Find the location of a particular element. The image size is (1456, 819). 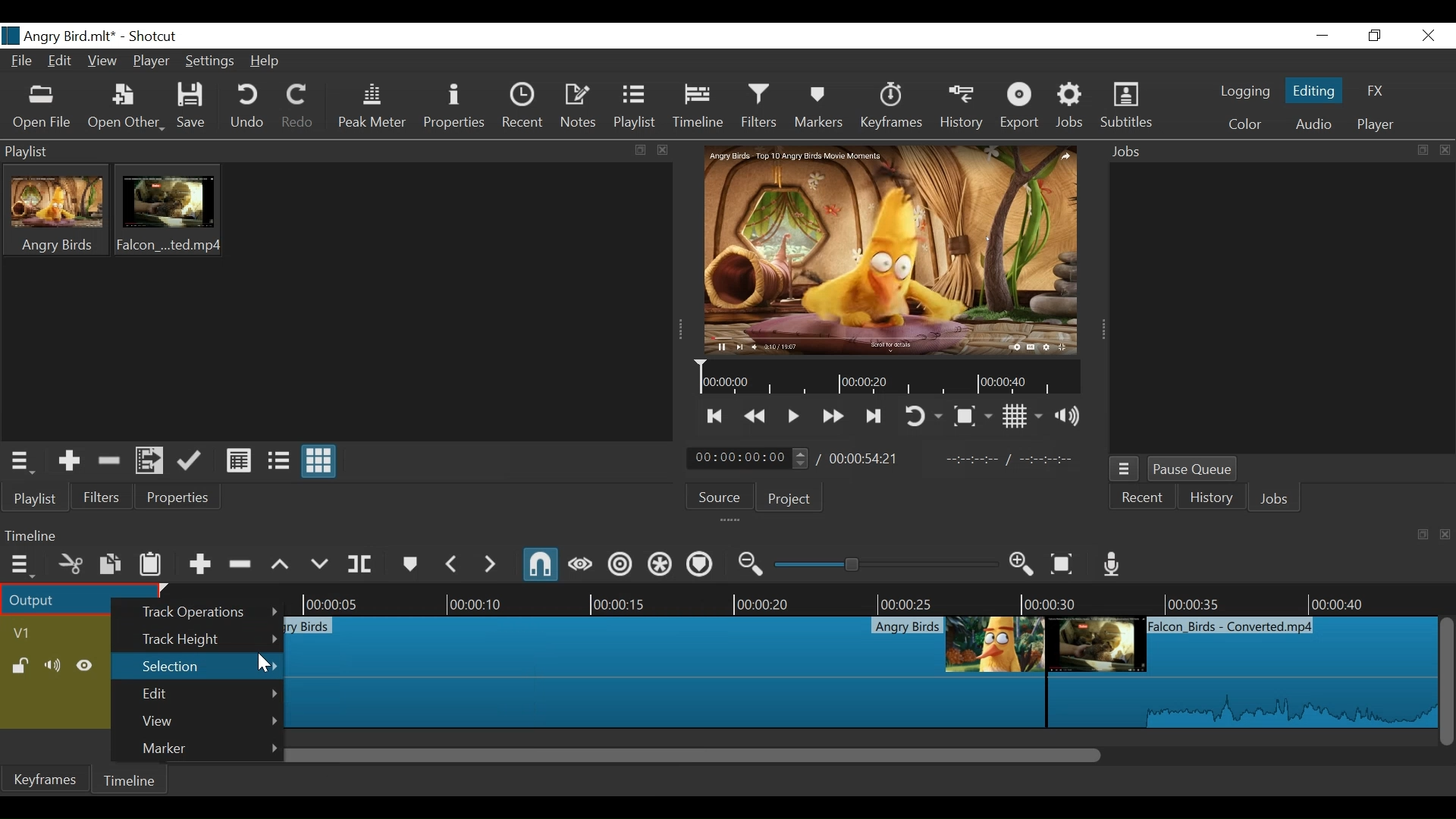

Timeline Menu is located at coordinates (22, 565).